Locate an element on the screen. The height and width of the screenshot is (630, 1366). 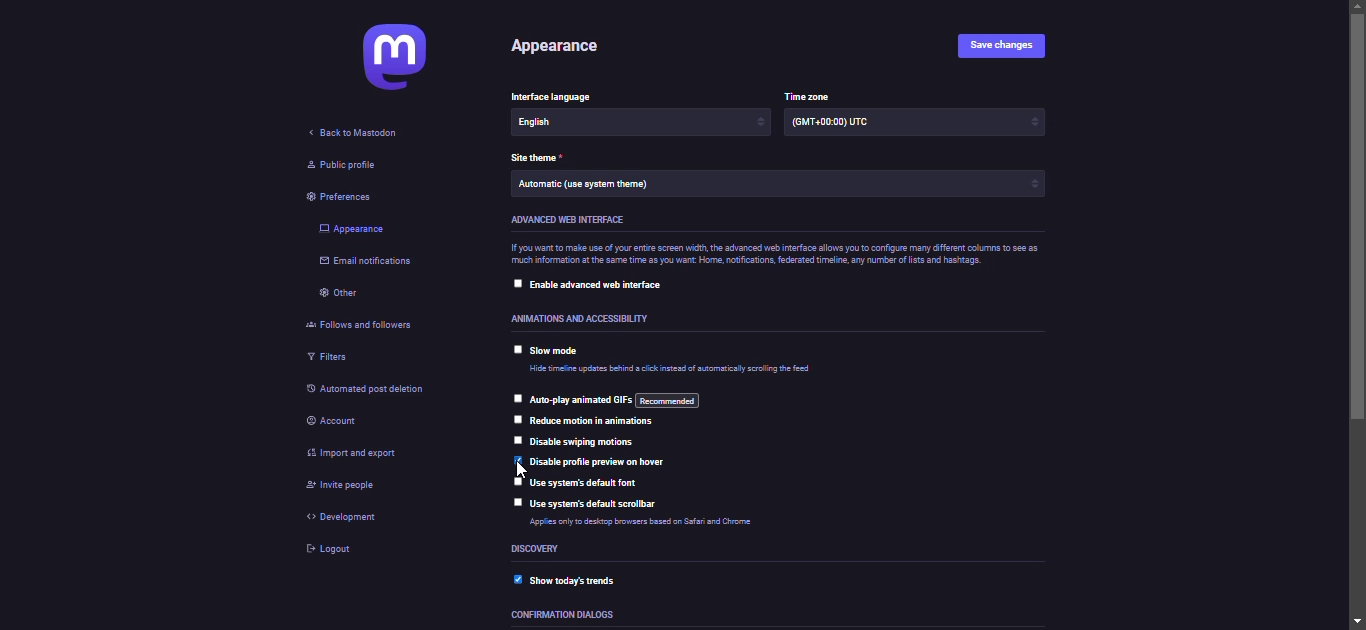
mastodon is located at coordinates (397, 60).